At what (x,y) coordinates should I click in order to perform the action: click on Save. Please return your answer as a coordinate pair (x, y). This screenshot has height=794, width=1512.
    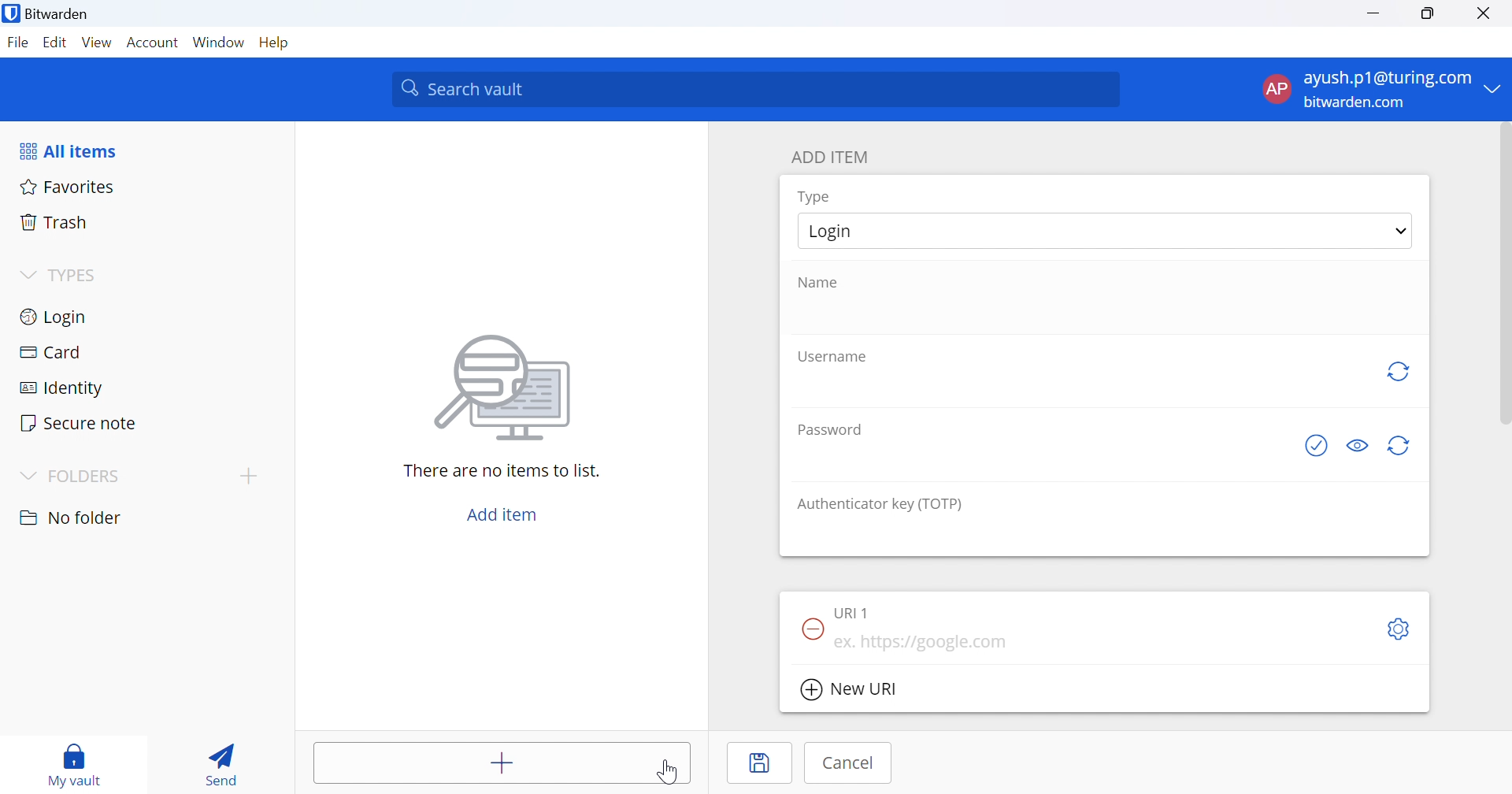
    Looking at the image, I should click on (760, 763).